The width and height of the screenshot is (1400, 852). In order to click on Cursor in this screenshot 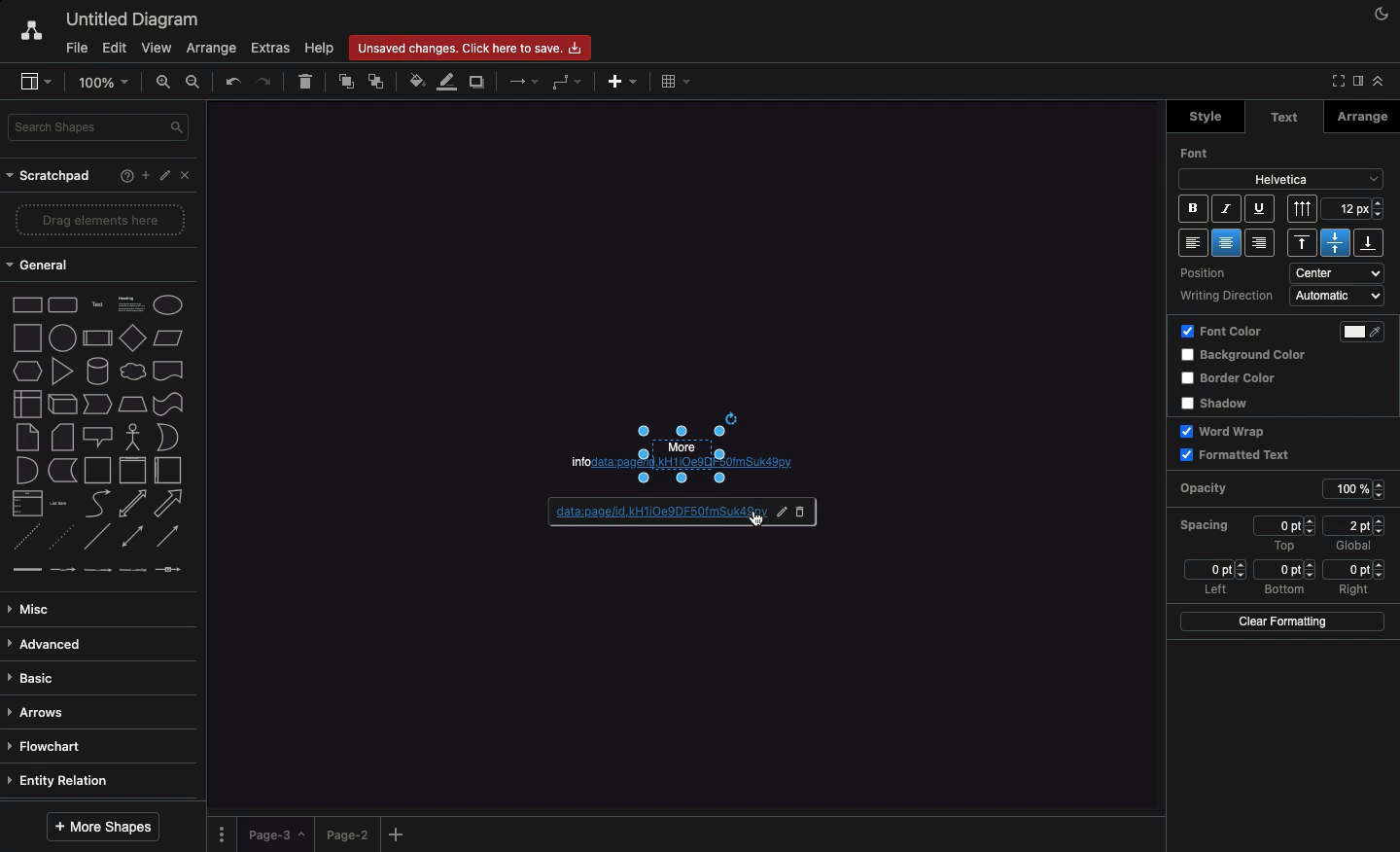, I will do `click(756, 518)`.